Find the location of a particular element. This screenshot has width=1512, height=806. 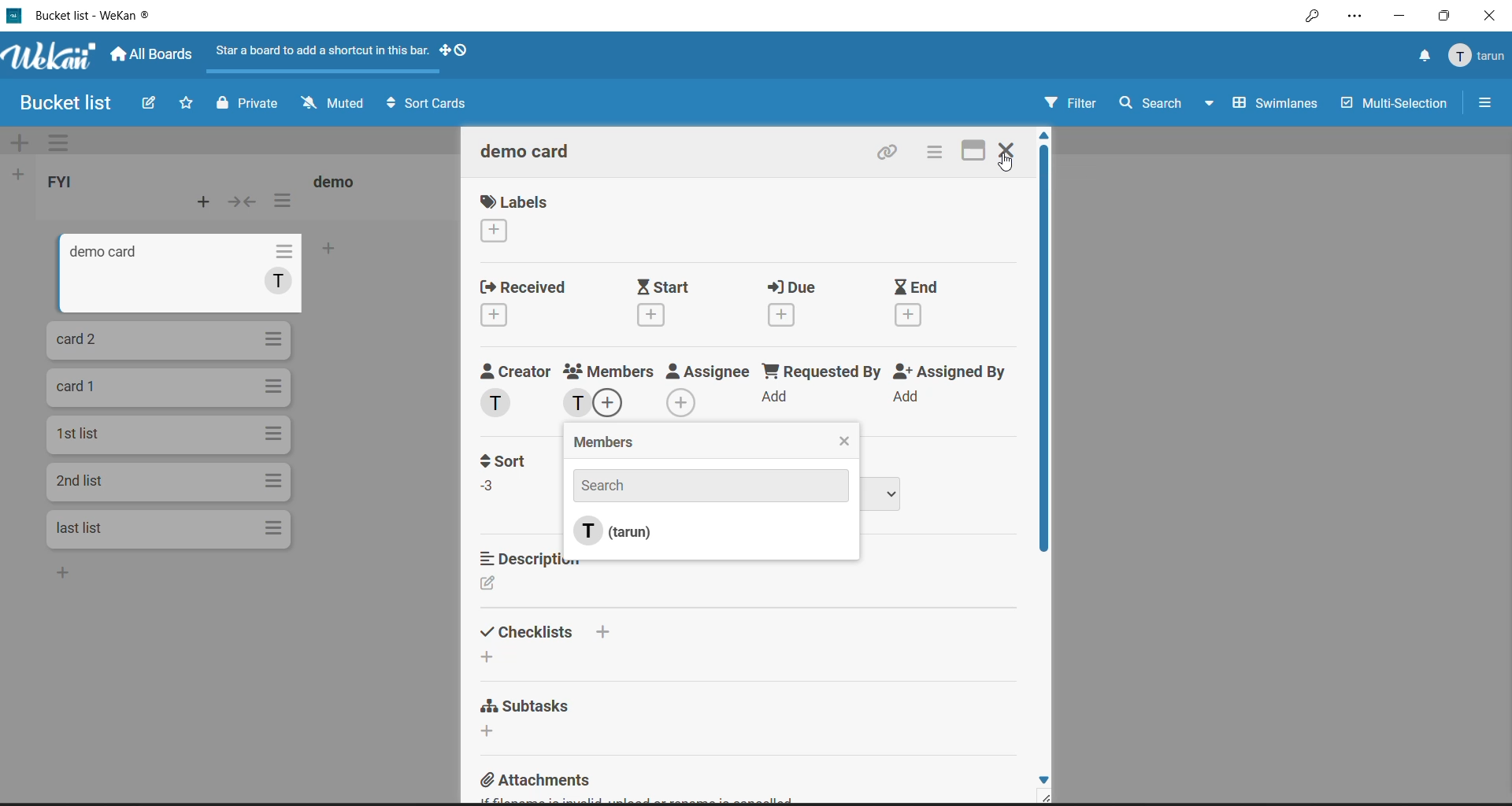

add checklist is located at coordinates (485, 656).